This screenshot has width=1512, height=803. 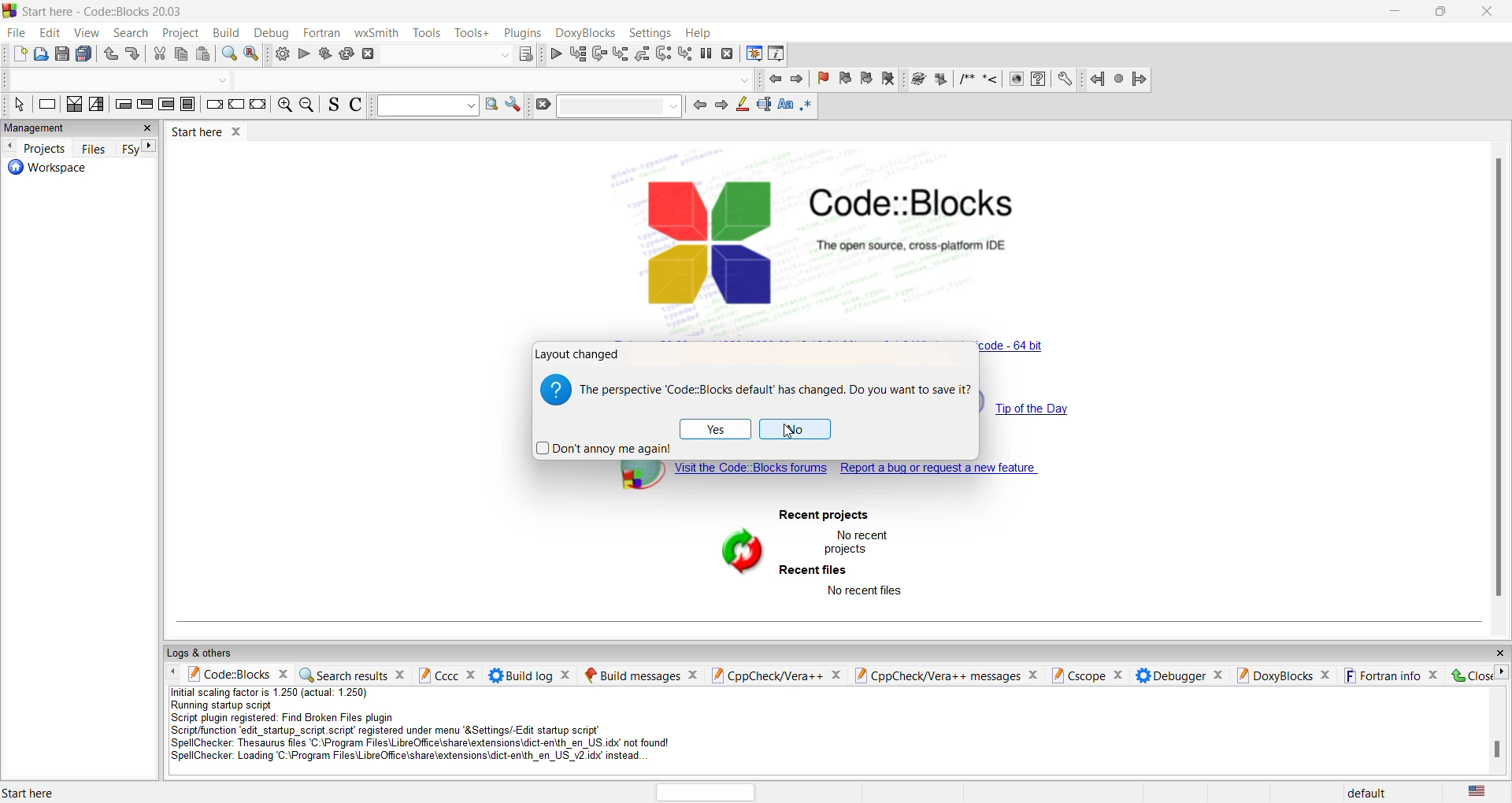 What do you see at coordinates (1442, 13) in the screenshot?
I see `maximize` at bounding box center [1442, 13].